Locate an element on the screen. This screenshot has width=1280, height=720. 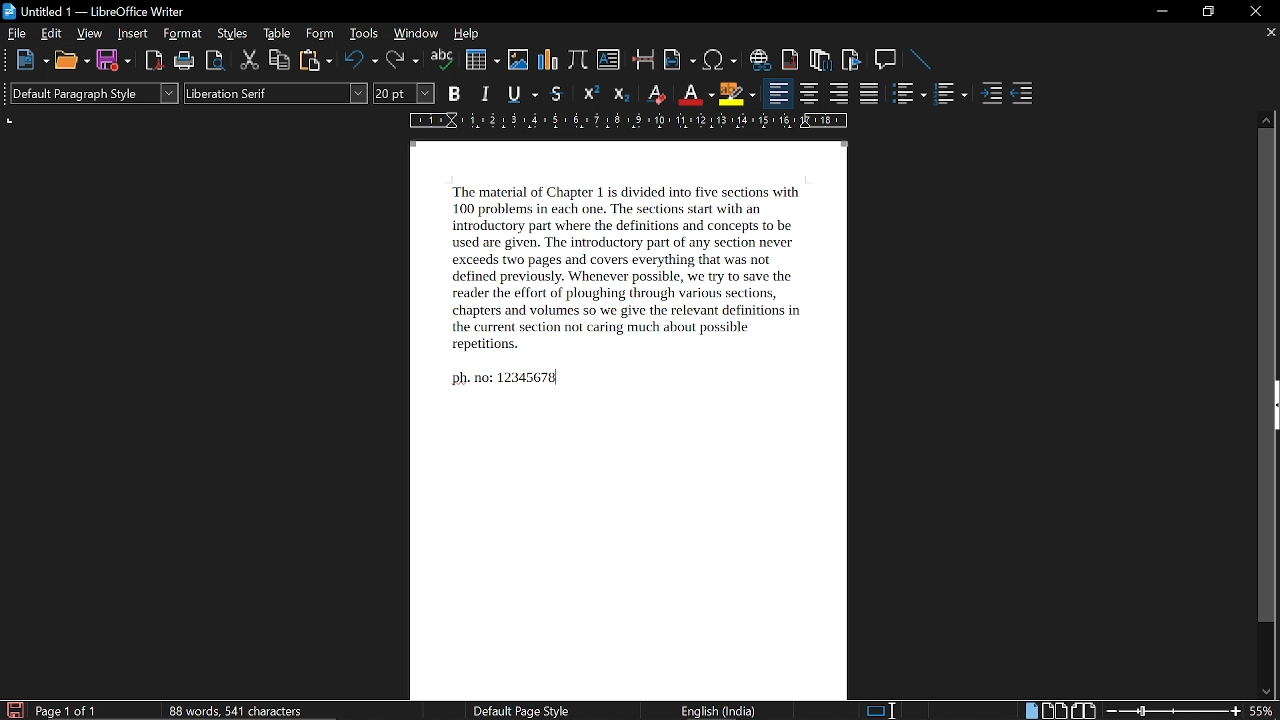
insert endnote is located at coordinates (822, 59).